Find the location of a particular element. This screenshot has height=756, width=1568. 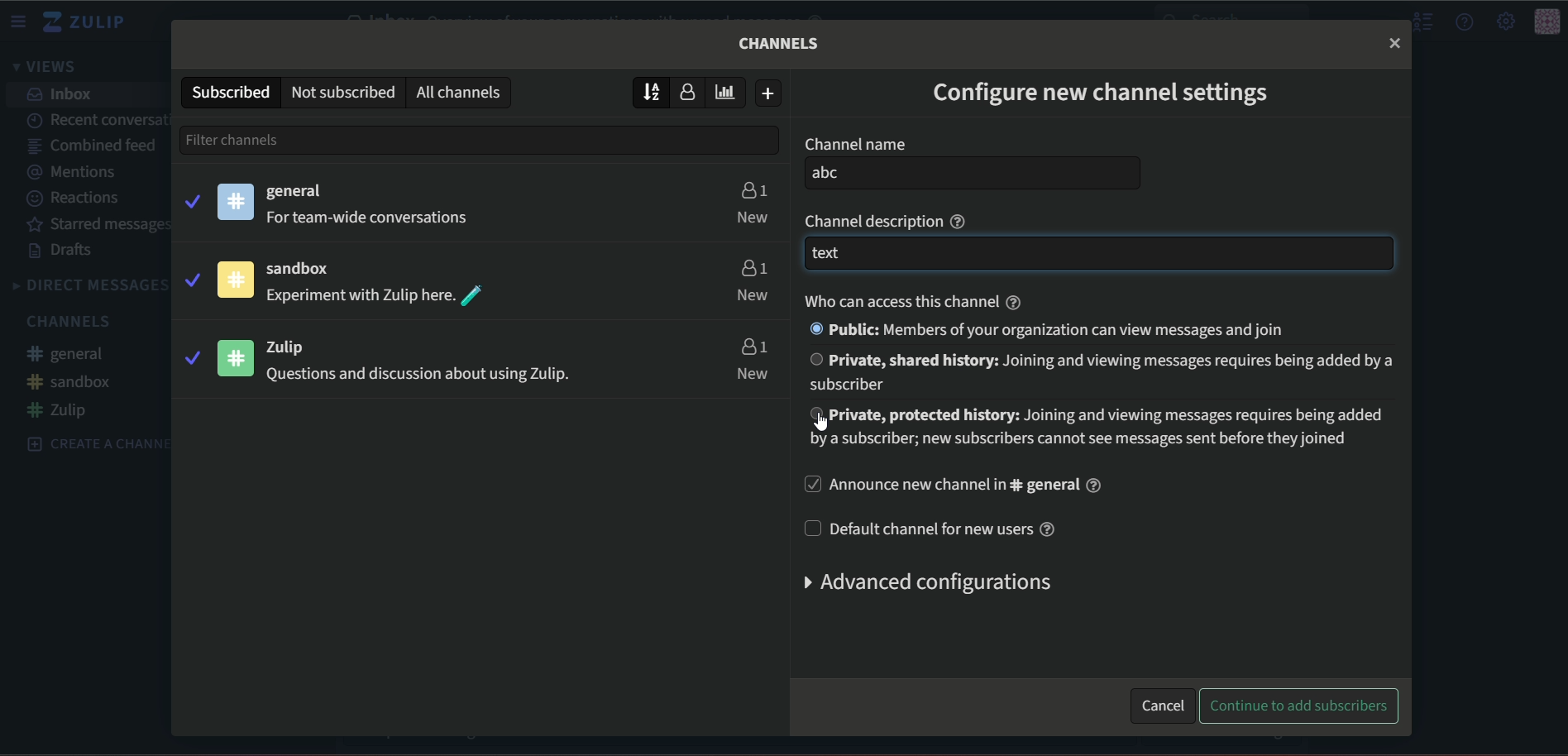

cursor is located at coordinates (812, 426).